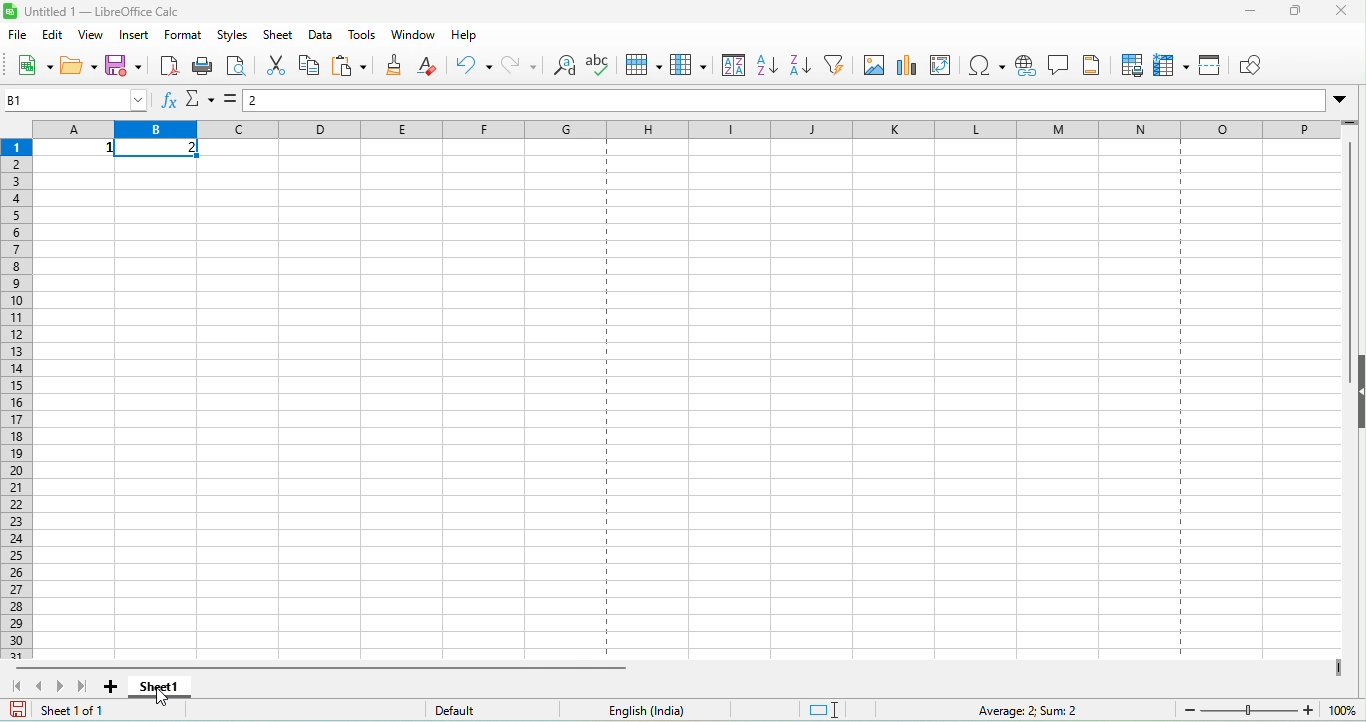  Describe the element at coordinates (836, 710) in the screenshot. I see `standard selection` at that location.